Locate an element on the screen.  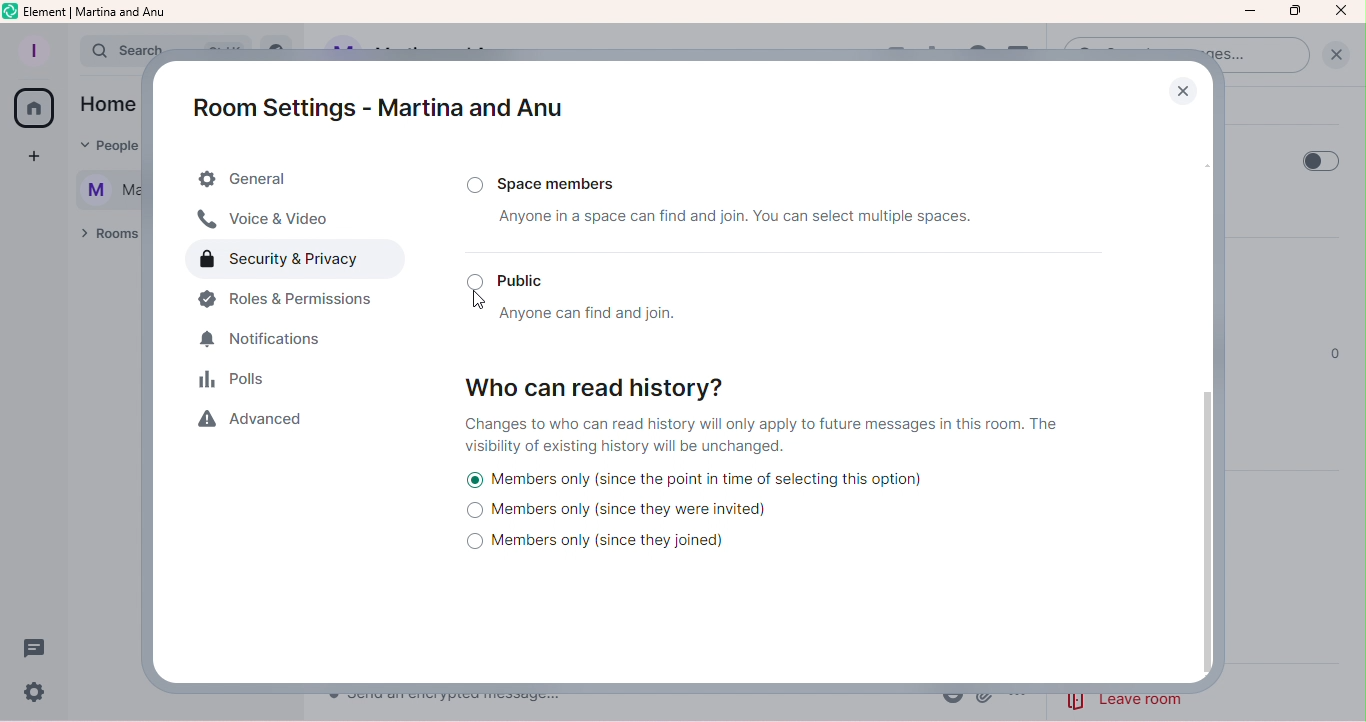
search is located at coordinates (130, 49).